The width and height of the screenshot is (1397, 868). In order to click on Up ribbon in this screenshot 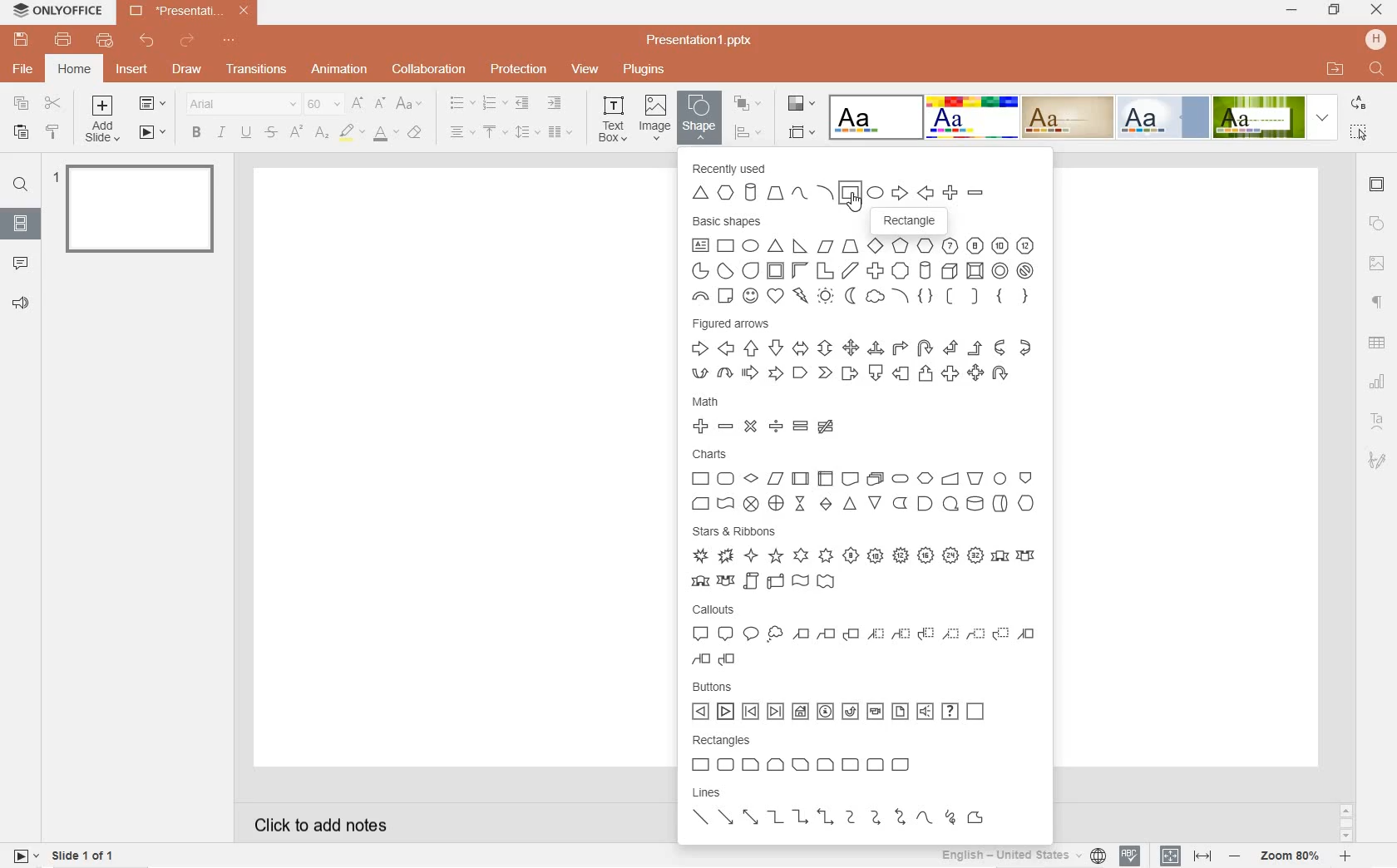, I will do `click(1000, 557)`.